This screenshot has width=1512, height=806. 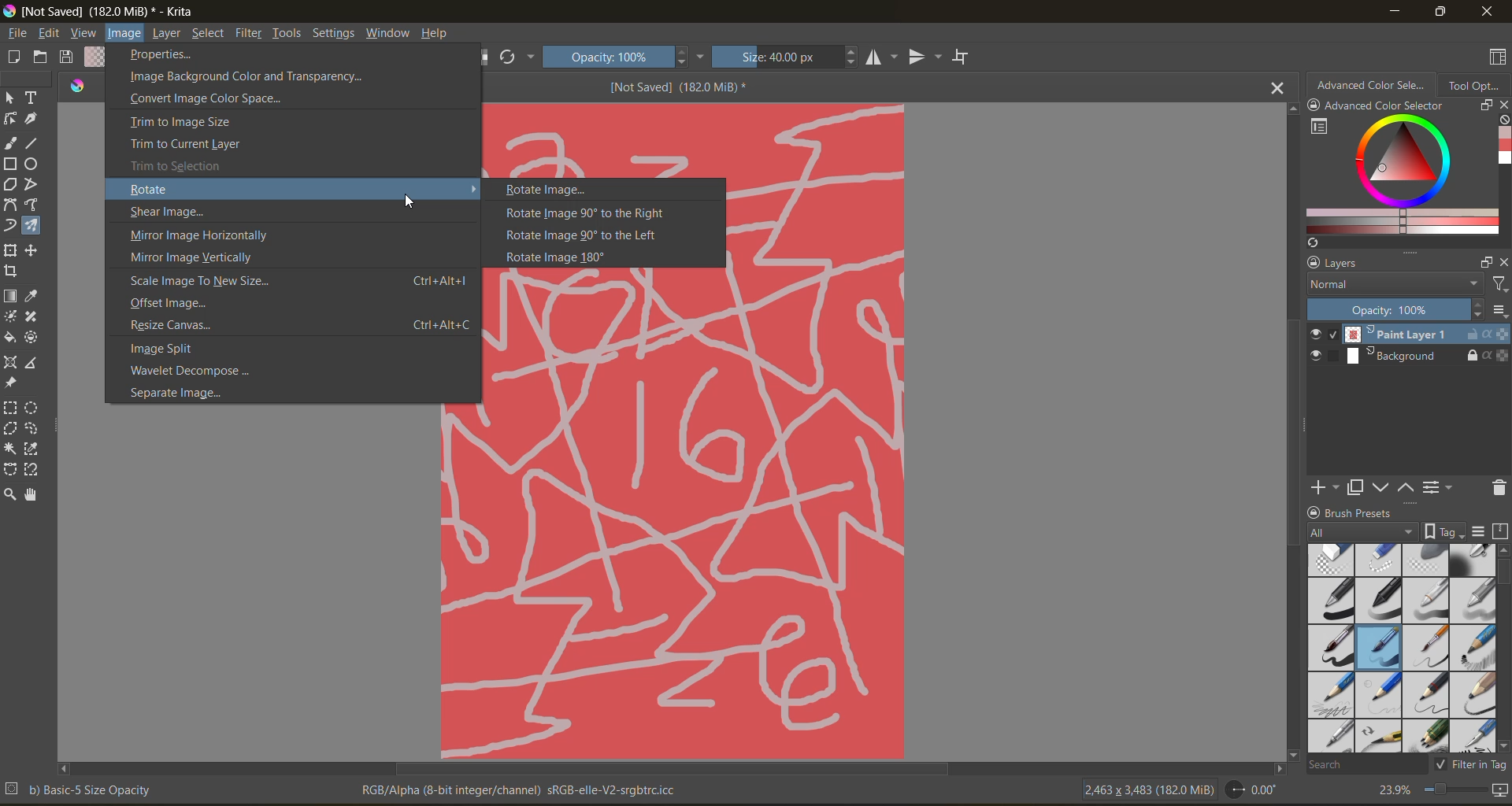 What do you see at coordinates (169, 213) in the screenshot?
I see `shear image` at bounding box center [169, 213].